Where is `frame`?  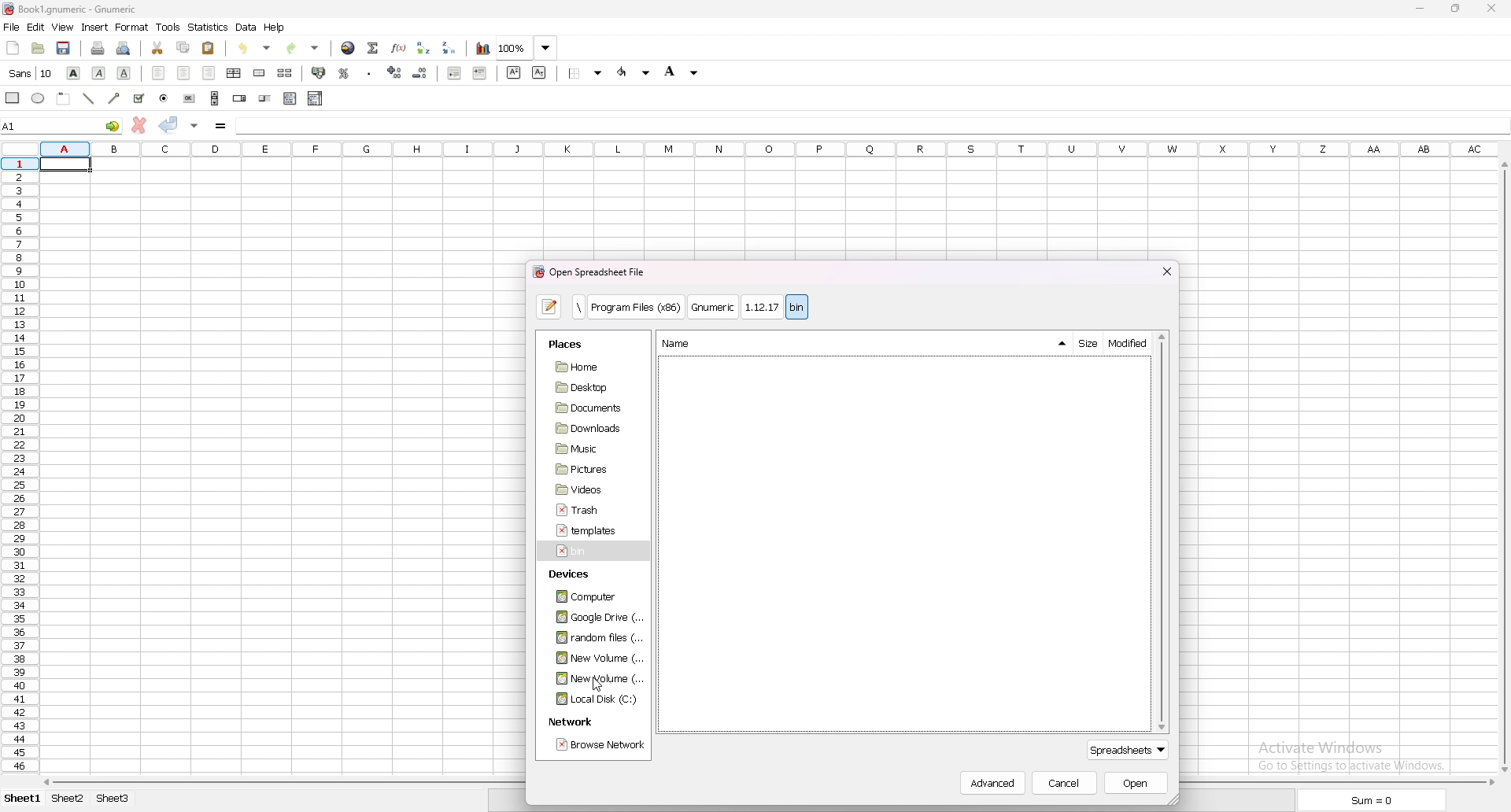
frame is located at coordinates (63, 98).